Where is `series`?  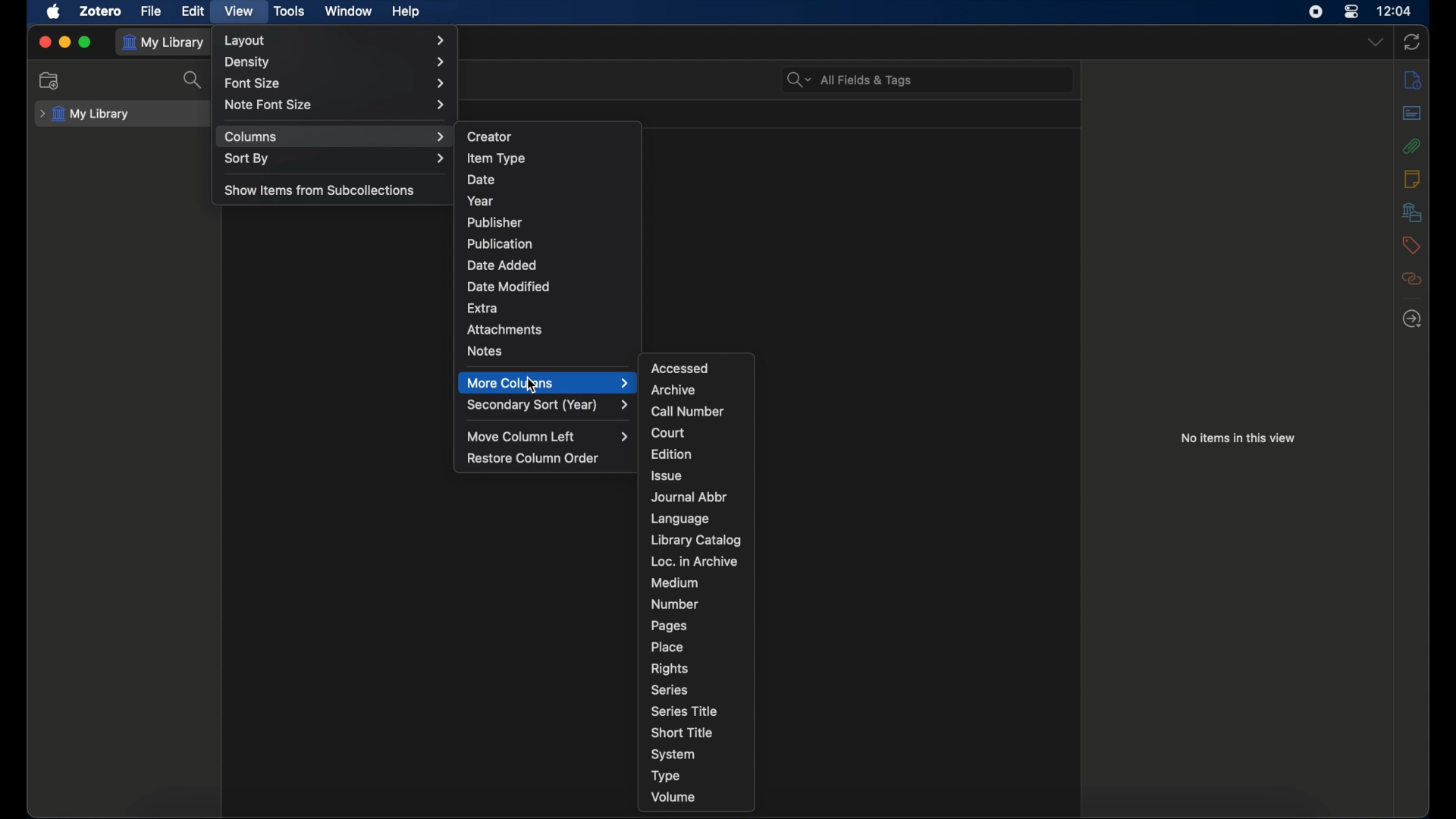 series is located at coordinates (670, 689).